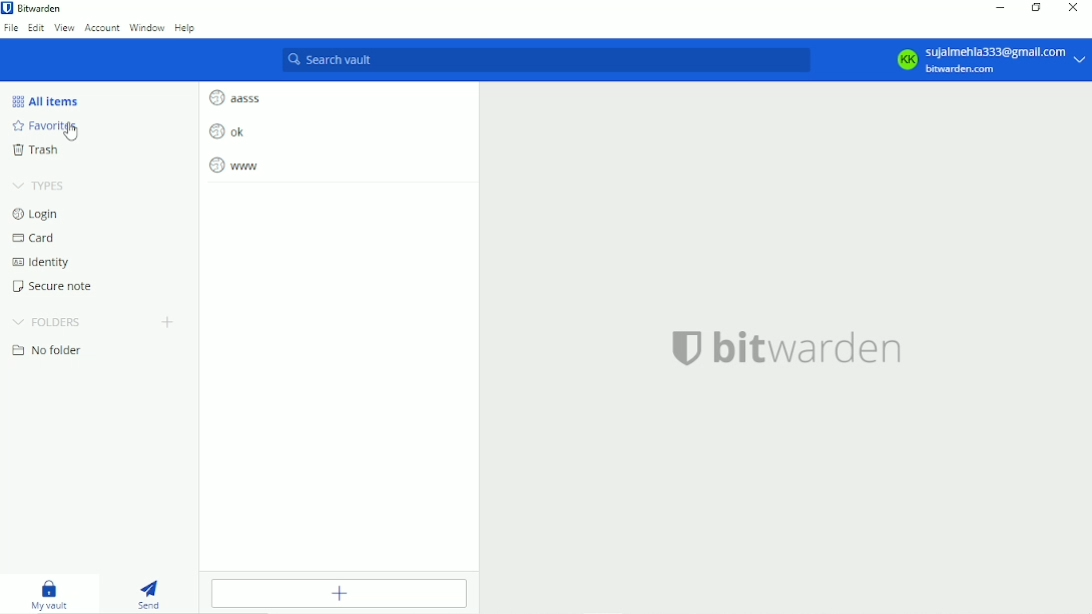  What do you see at coordinates (40, 185) in the screenshot?
I see `Types` at bounding box center [40, 185].